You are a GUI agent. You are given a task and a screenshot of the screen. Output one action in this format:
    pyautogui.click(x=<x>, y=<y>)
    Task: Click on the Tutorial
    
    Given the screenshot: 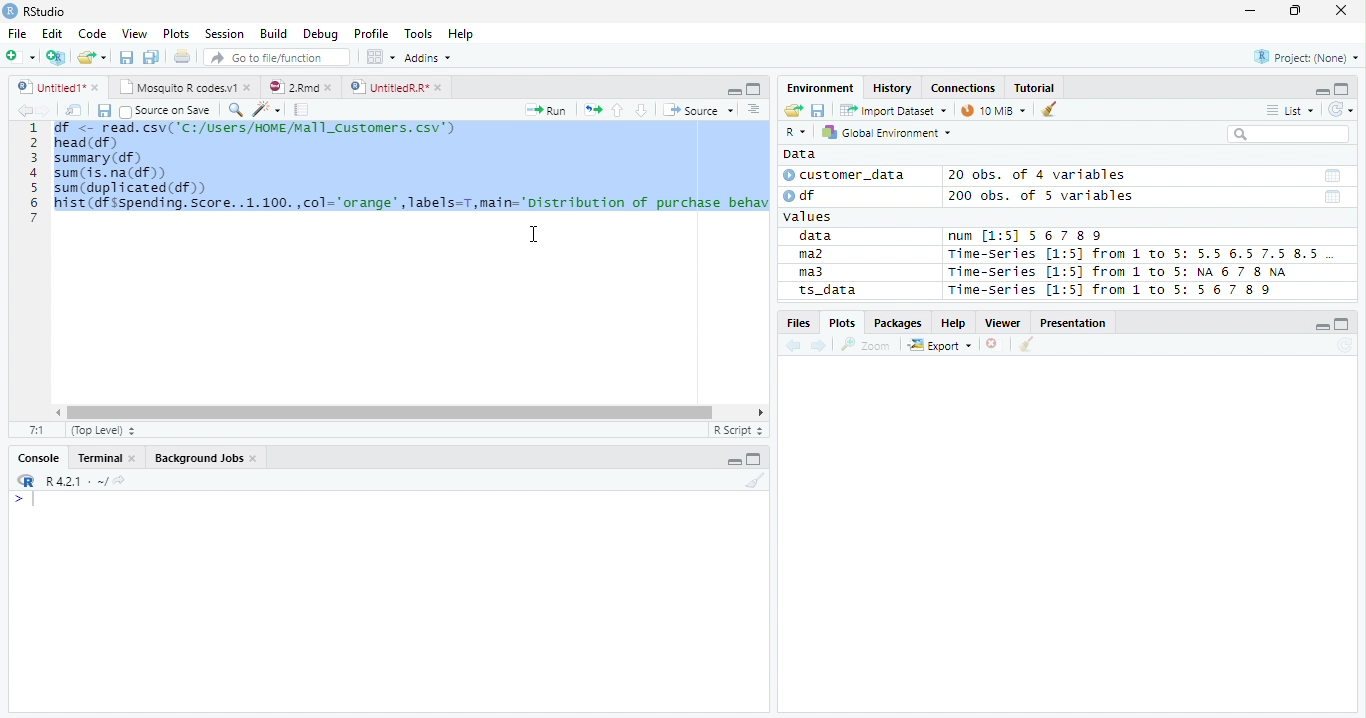 What is the action you would take?
    pyautogui.click(x=1035, y=87)
    